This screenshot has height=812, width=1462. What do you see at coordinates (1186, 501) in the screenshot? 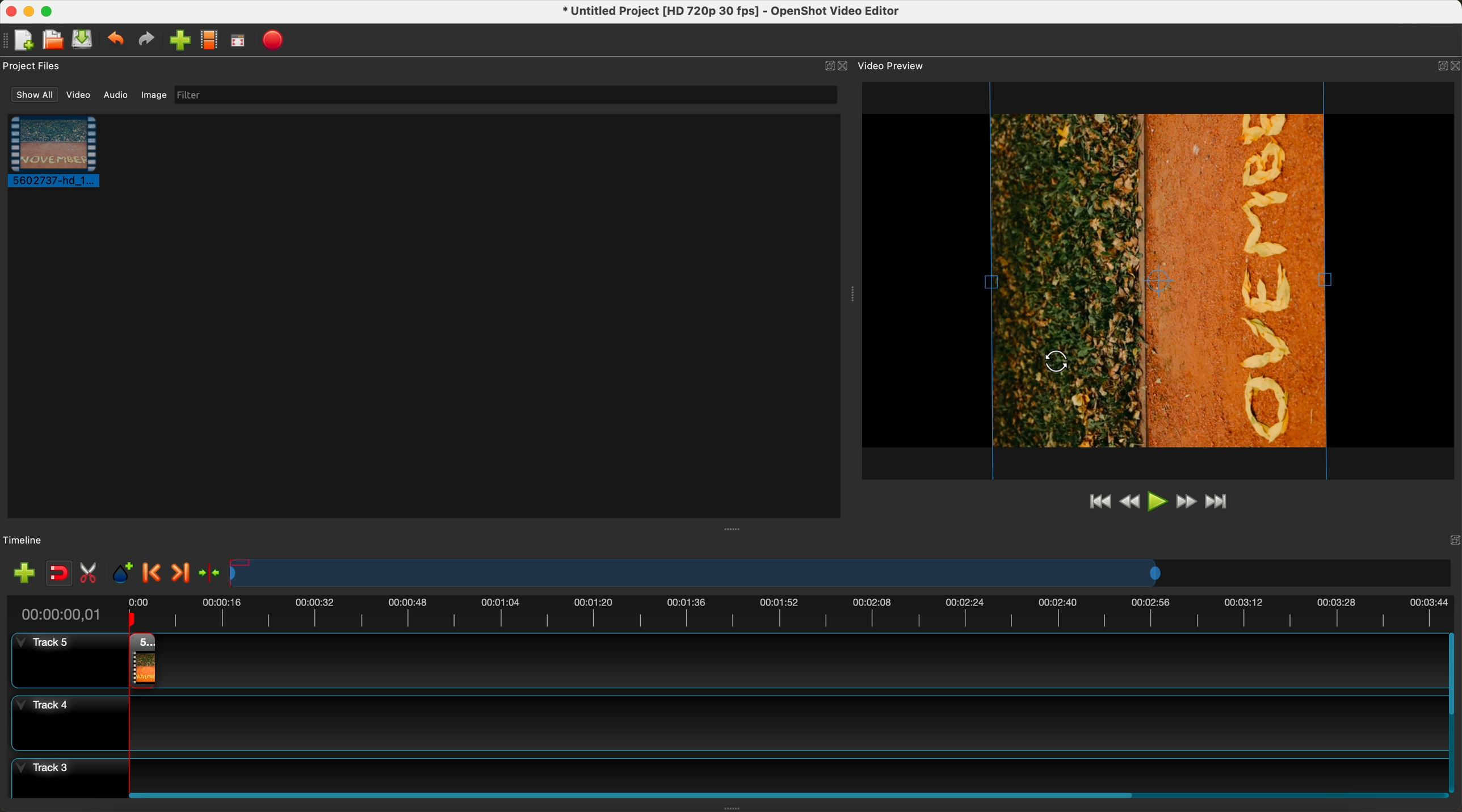
I see `fast foward` at bounding box center [1186, 501].